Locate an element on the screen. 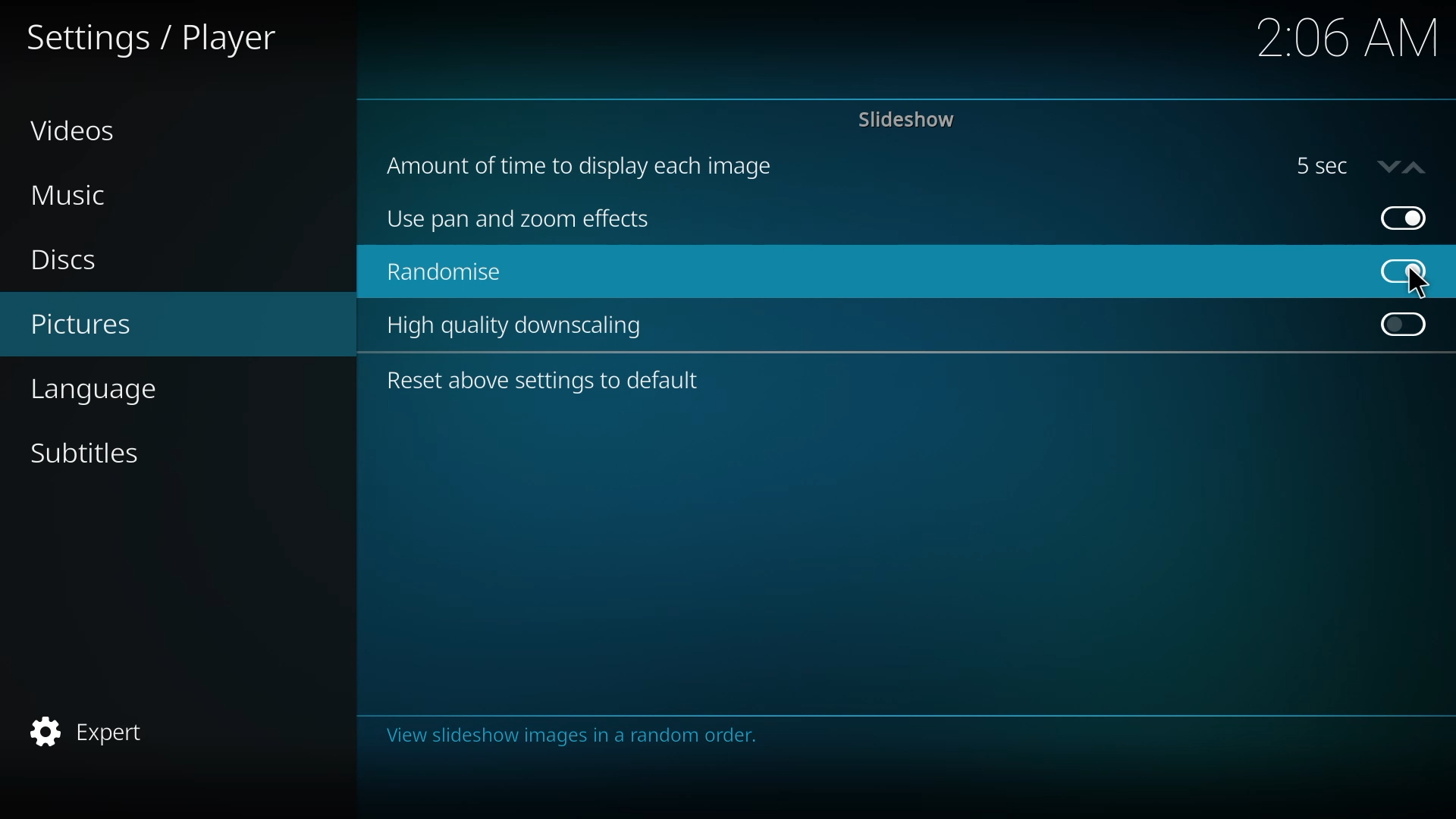 The height and width of the screenshot is (819, 1456). time is located at coordinates (1345, 39).